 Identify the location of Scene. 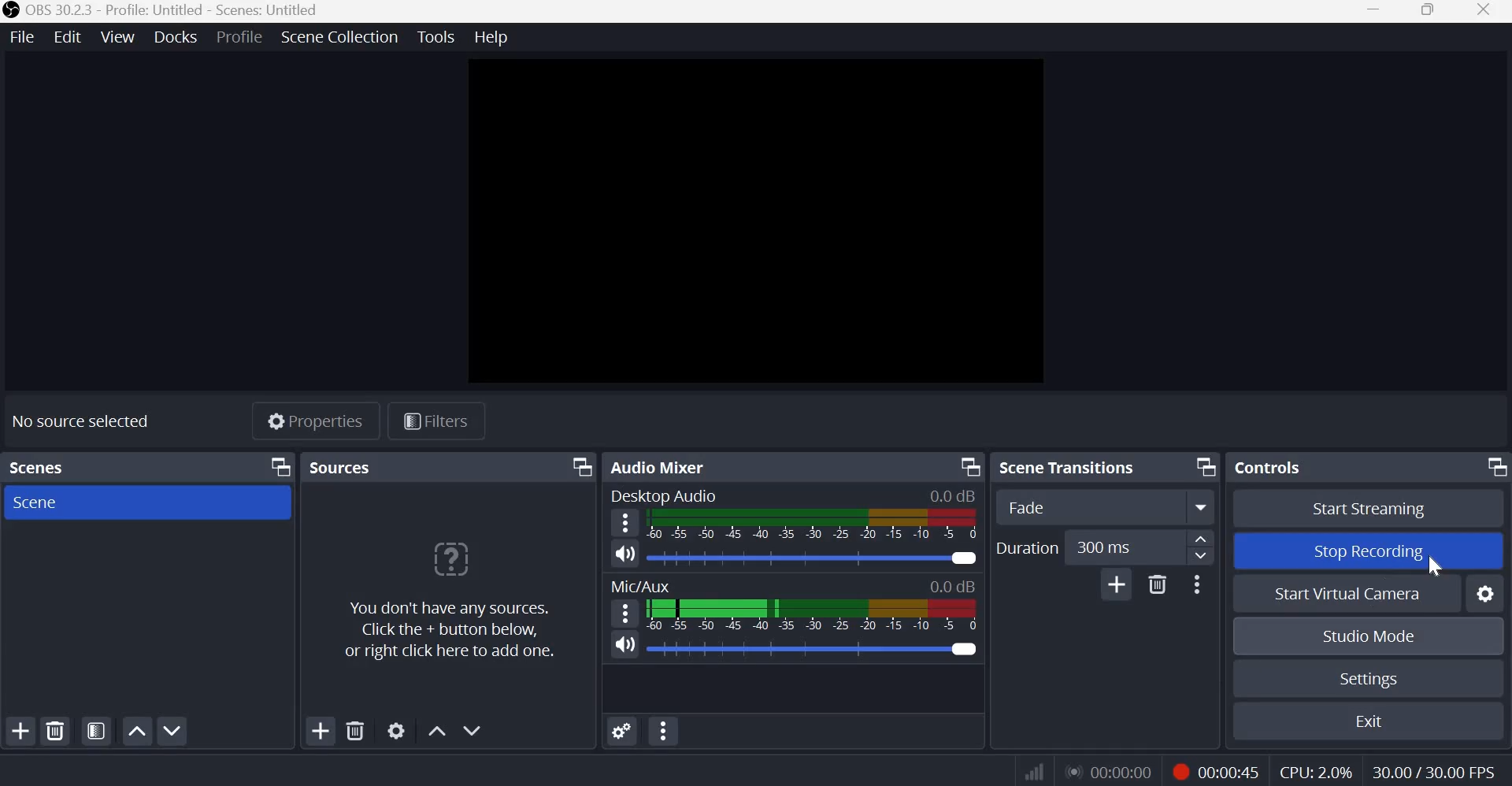
(41, 503).